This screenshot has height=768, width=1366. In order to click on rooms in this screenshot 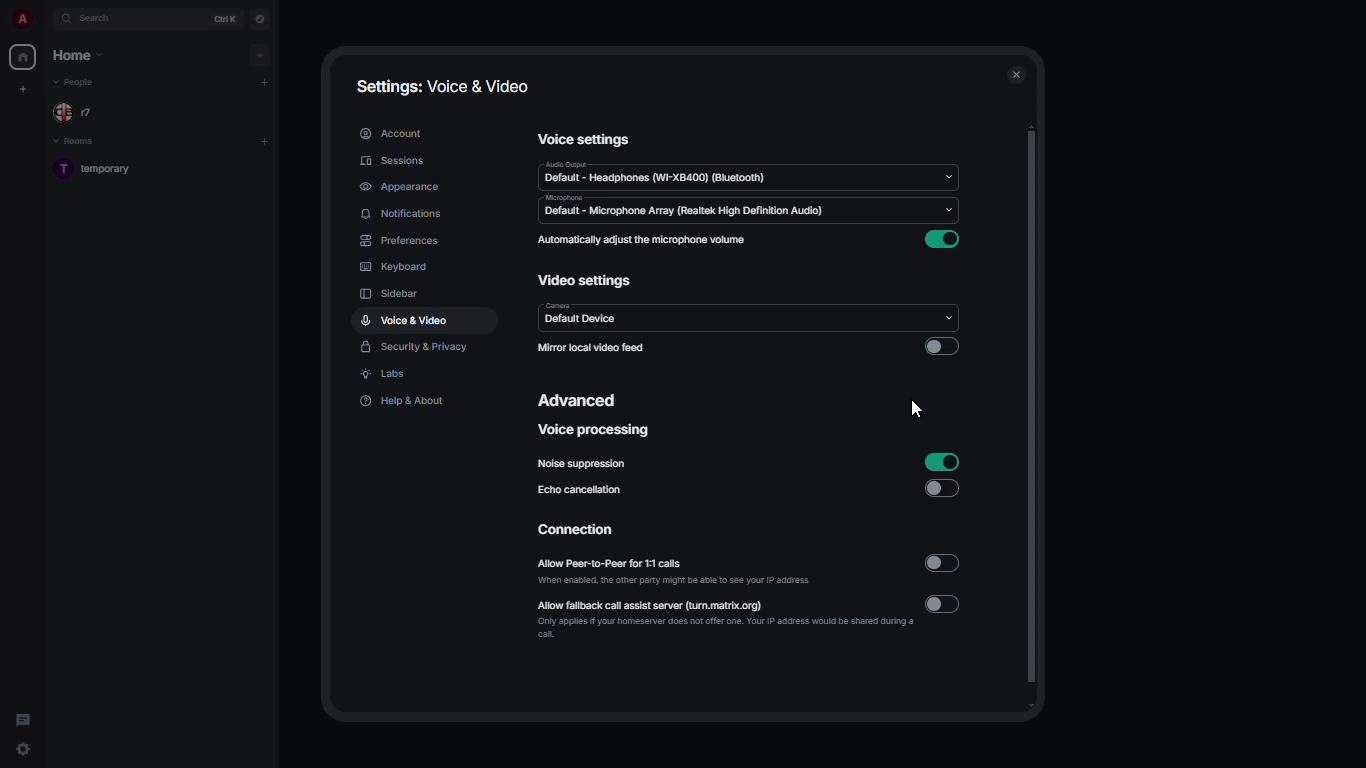, I will do `click(79, 142)`.